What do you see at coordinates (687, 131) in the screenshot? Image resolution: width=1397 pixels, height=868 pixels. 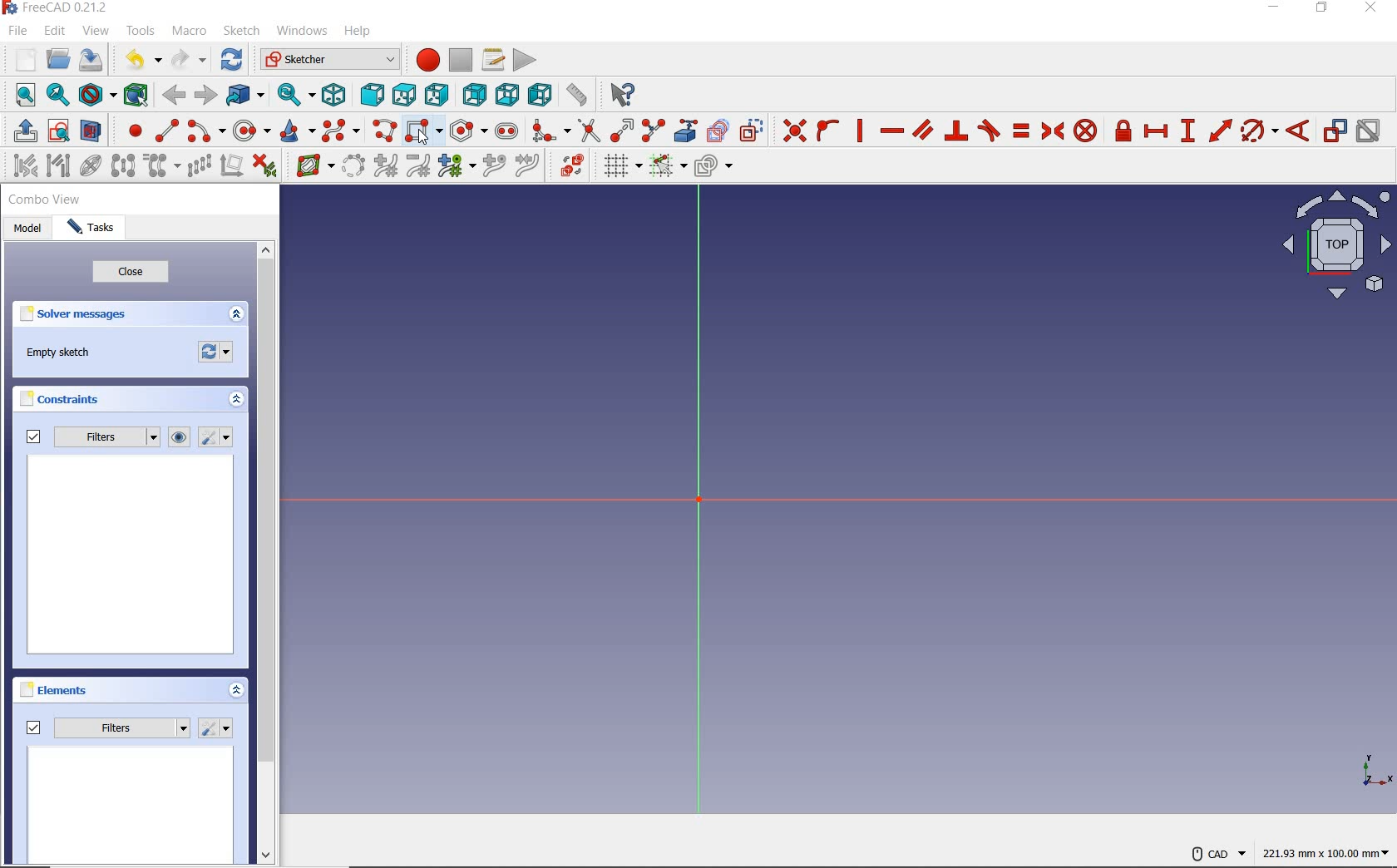 I see `create external geometry` at bounding box center [687, 131].